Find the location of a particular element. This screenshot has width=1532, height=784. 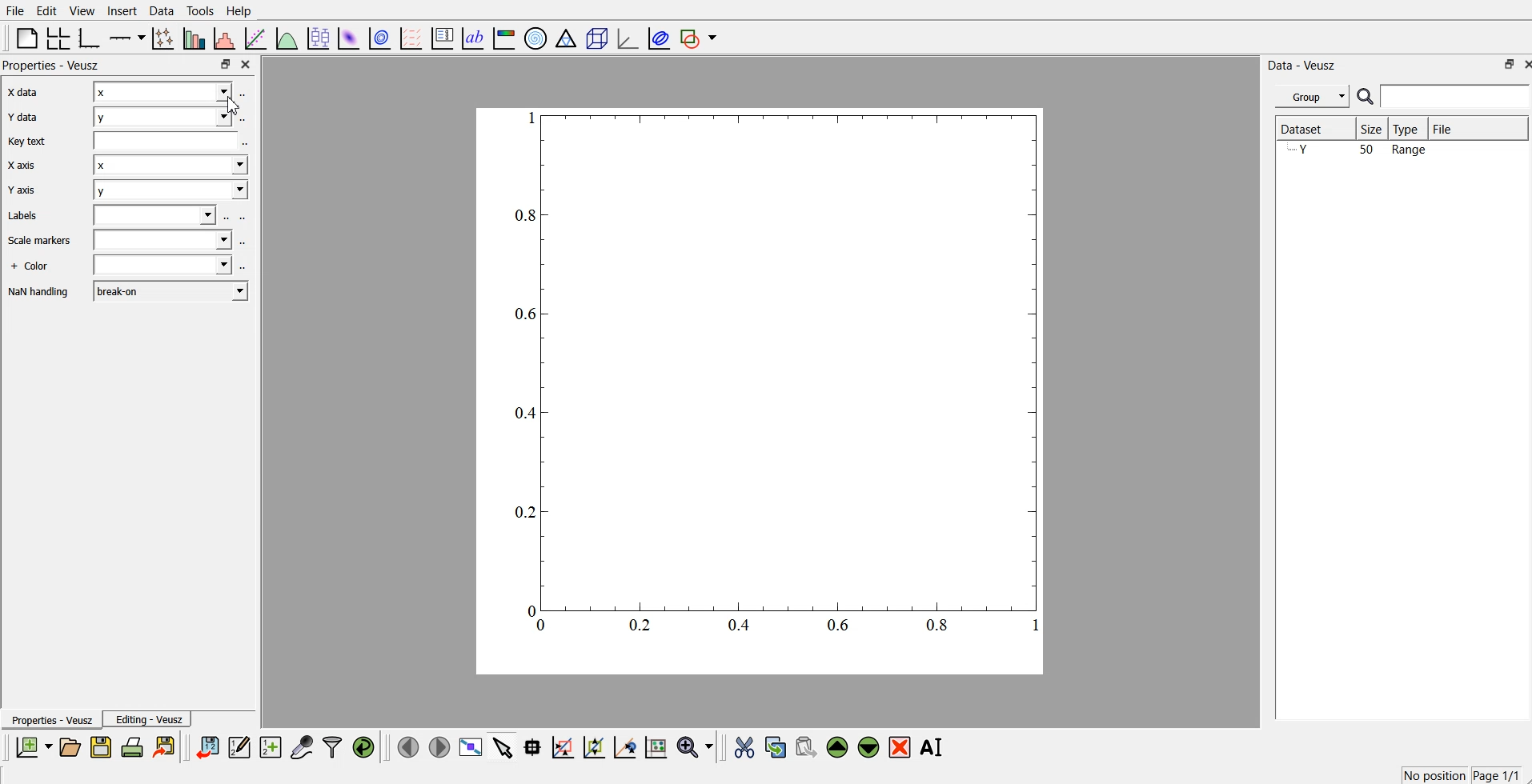

search bar is located at coordinates (1443, 96).